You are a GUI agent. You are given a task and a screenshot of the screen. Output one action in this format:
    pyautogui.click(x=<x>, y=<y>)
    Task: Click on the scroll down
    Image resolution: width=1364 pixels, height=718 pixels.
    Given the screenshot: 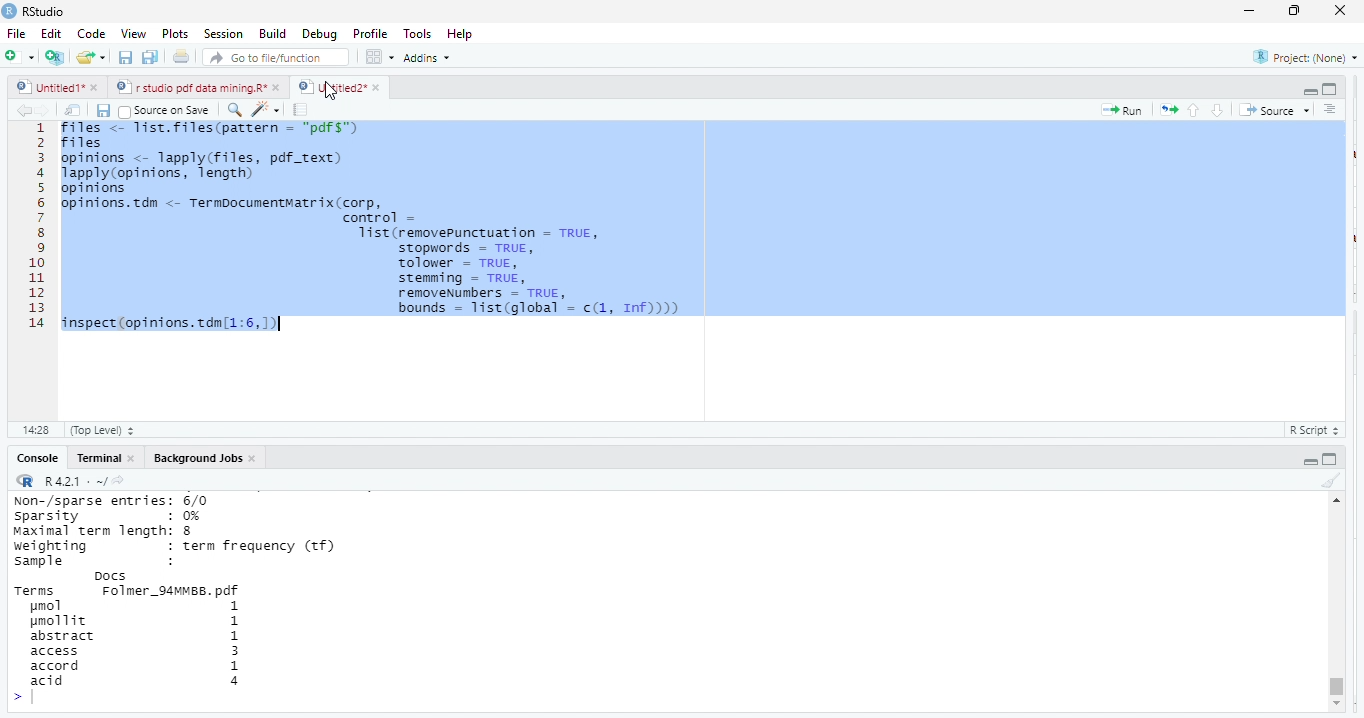 What is the action you would take?
    pyautogui.click(x=1335, y=705)
    